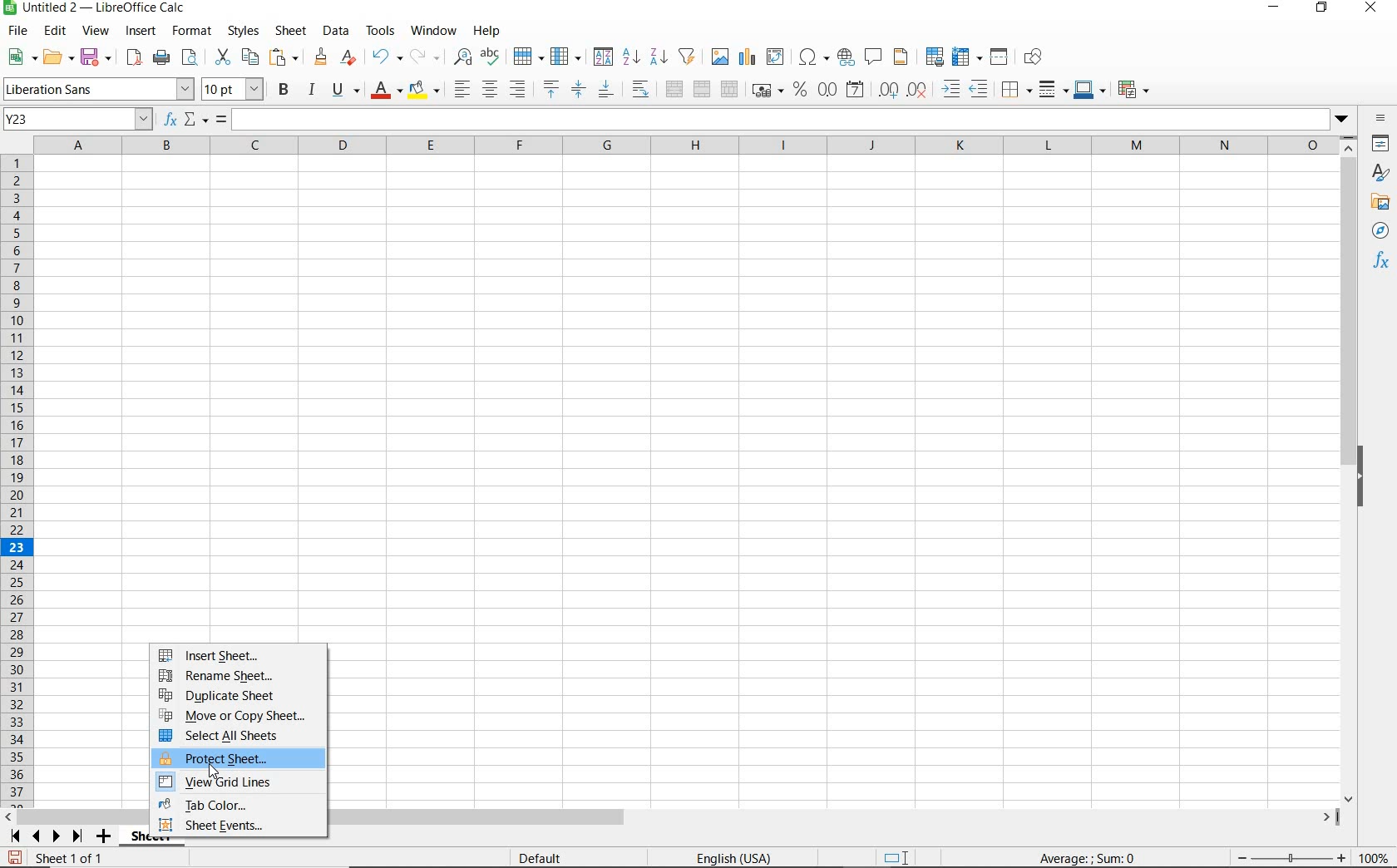  What do you see at coordinates (528, 55) in the screenshot?
I see `ROW` at bounding box center [528, 55].